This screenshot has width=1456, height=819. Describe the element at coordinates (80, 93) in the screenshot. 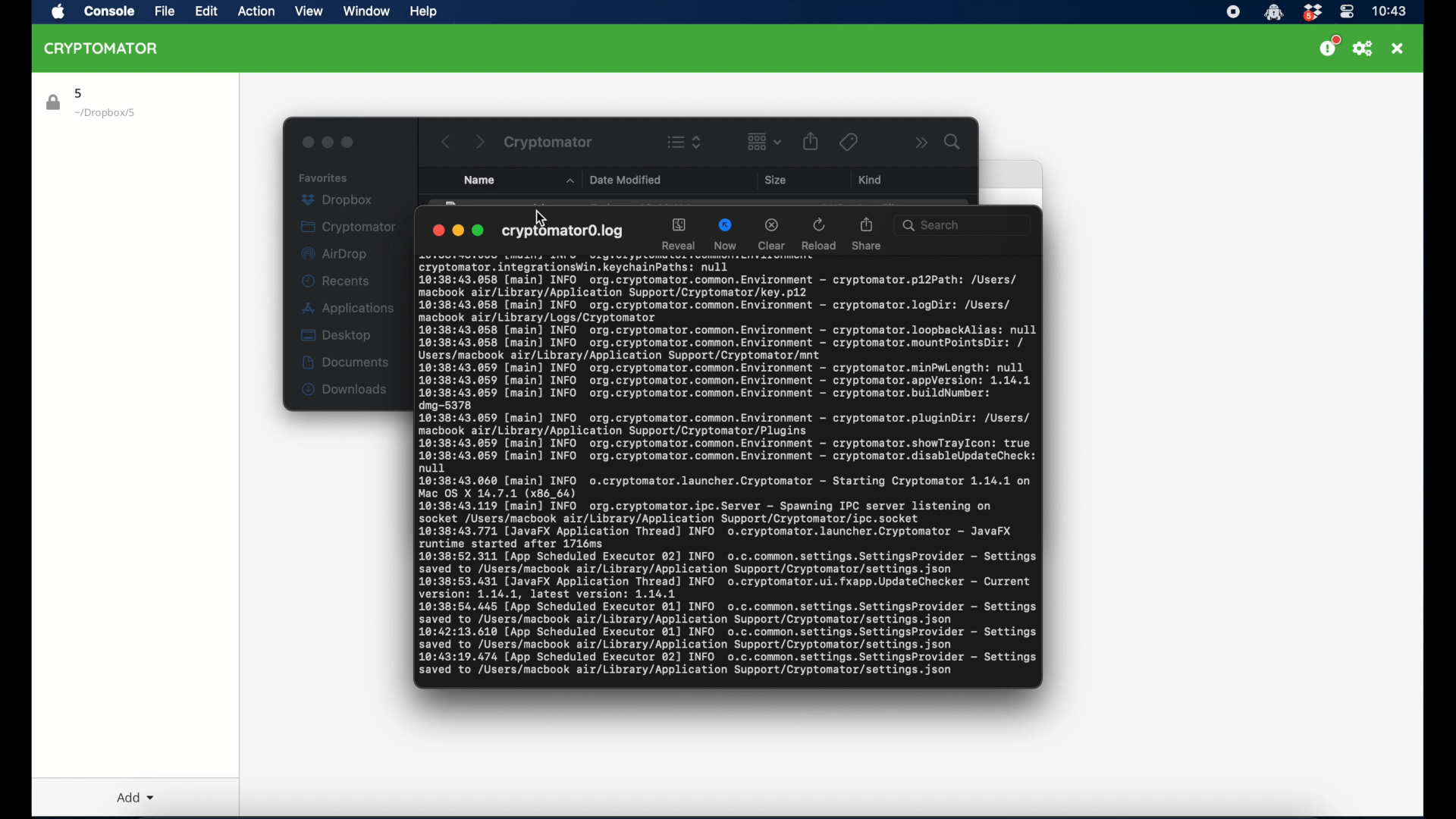

I see `5` at that location.